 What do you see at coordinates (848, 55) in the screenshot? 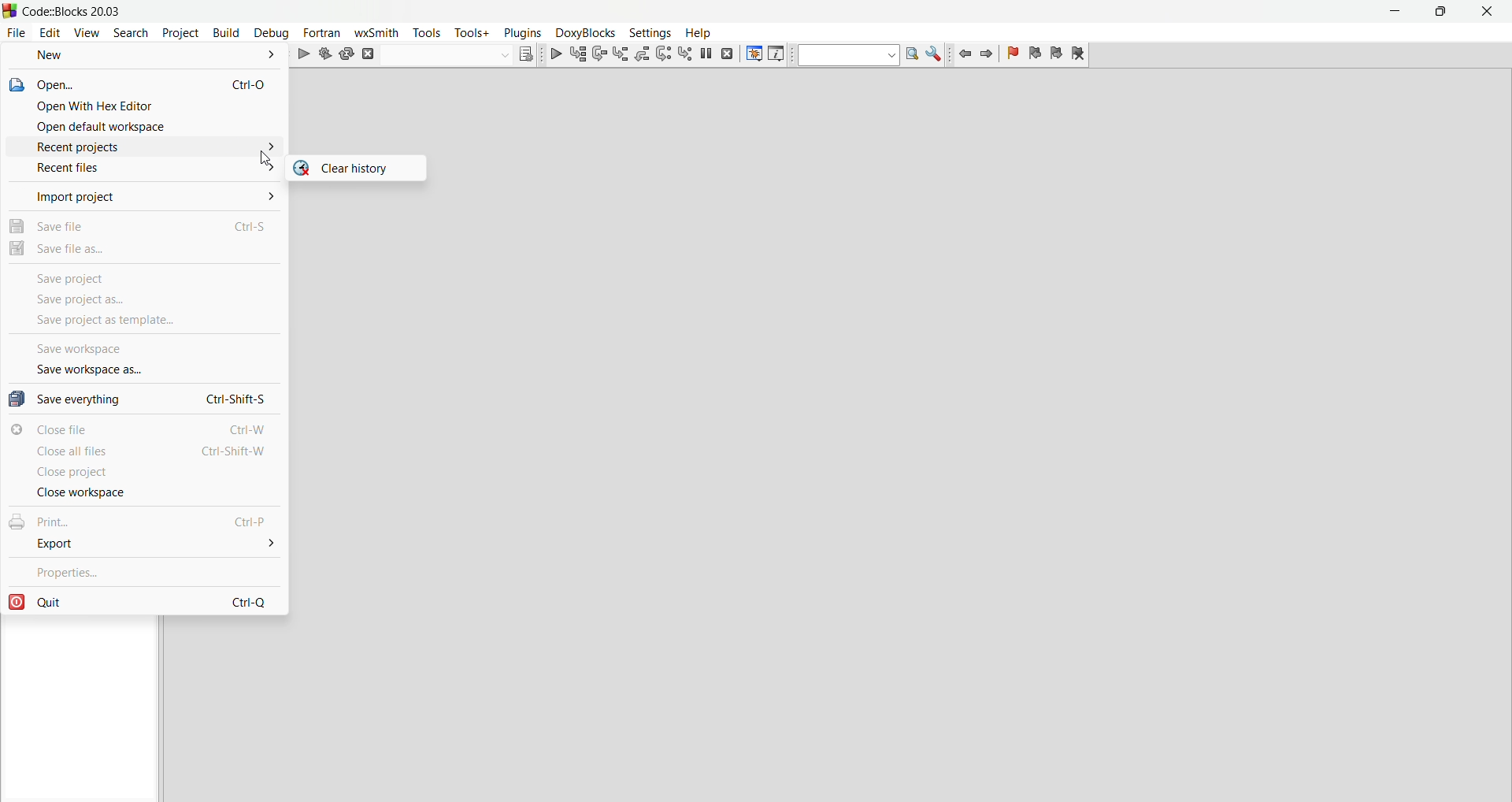
I see `text to search` at bounding box center [848, 55].